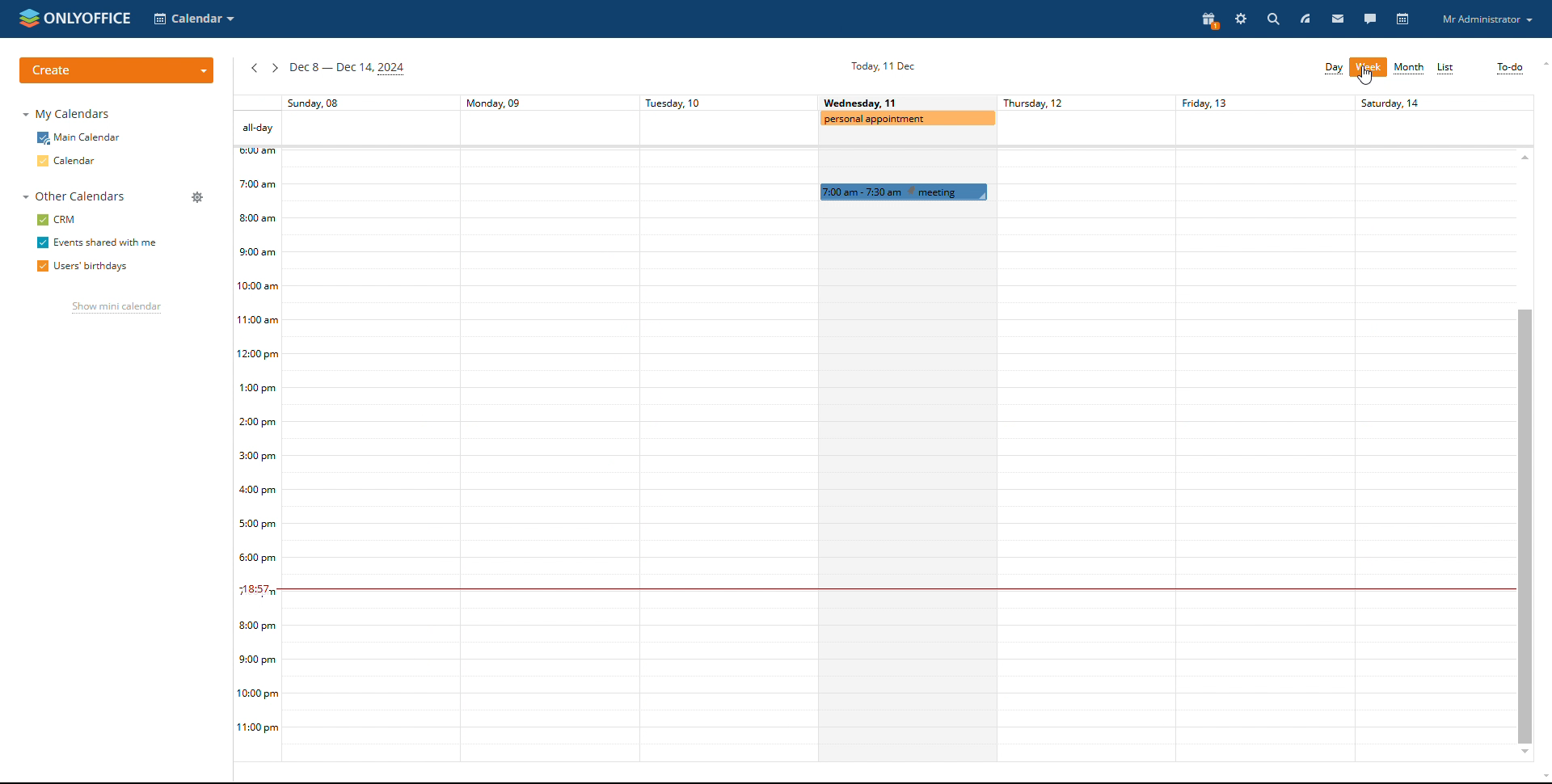 This screenshot has width=1552, height=784. I want to click on main calendar, so click(78, 138).